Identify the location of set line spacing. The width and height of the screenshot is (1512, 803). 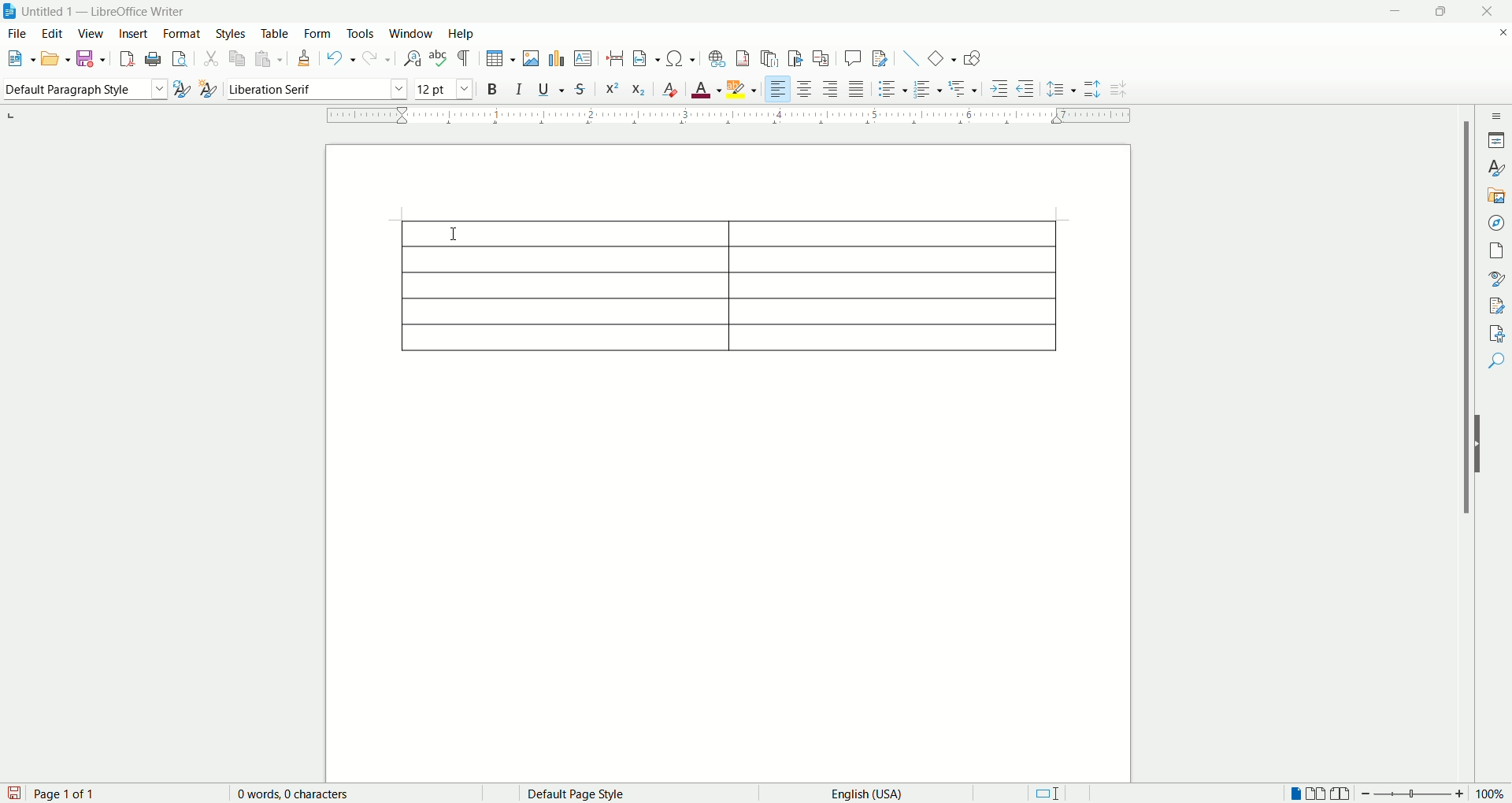
(1061, 90).